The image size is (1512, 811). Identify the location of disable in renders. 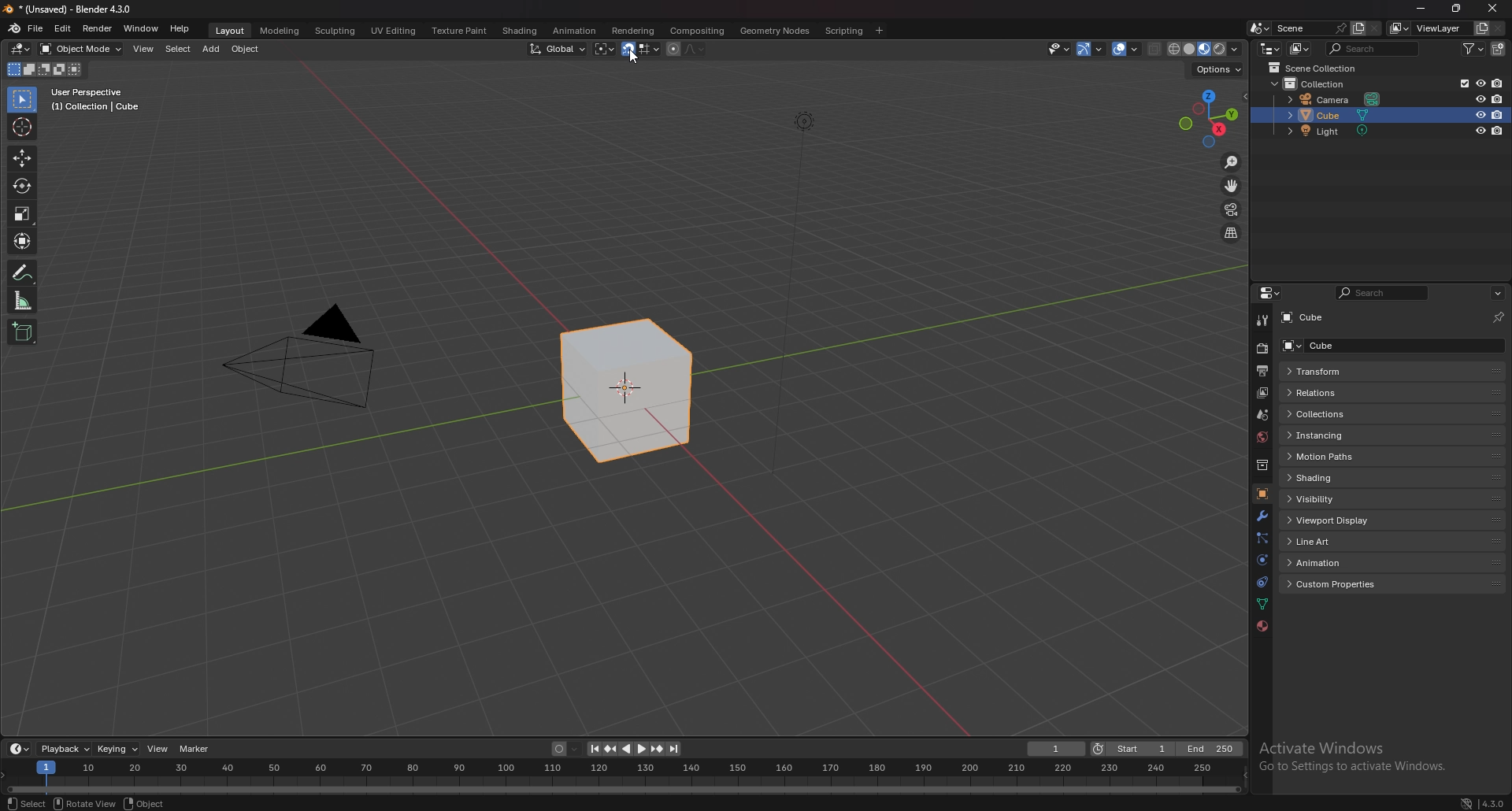
(1496, 83).